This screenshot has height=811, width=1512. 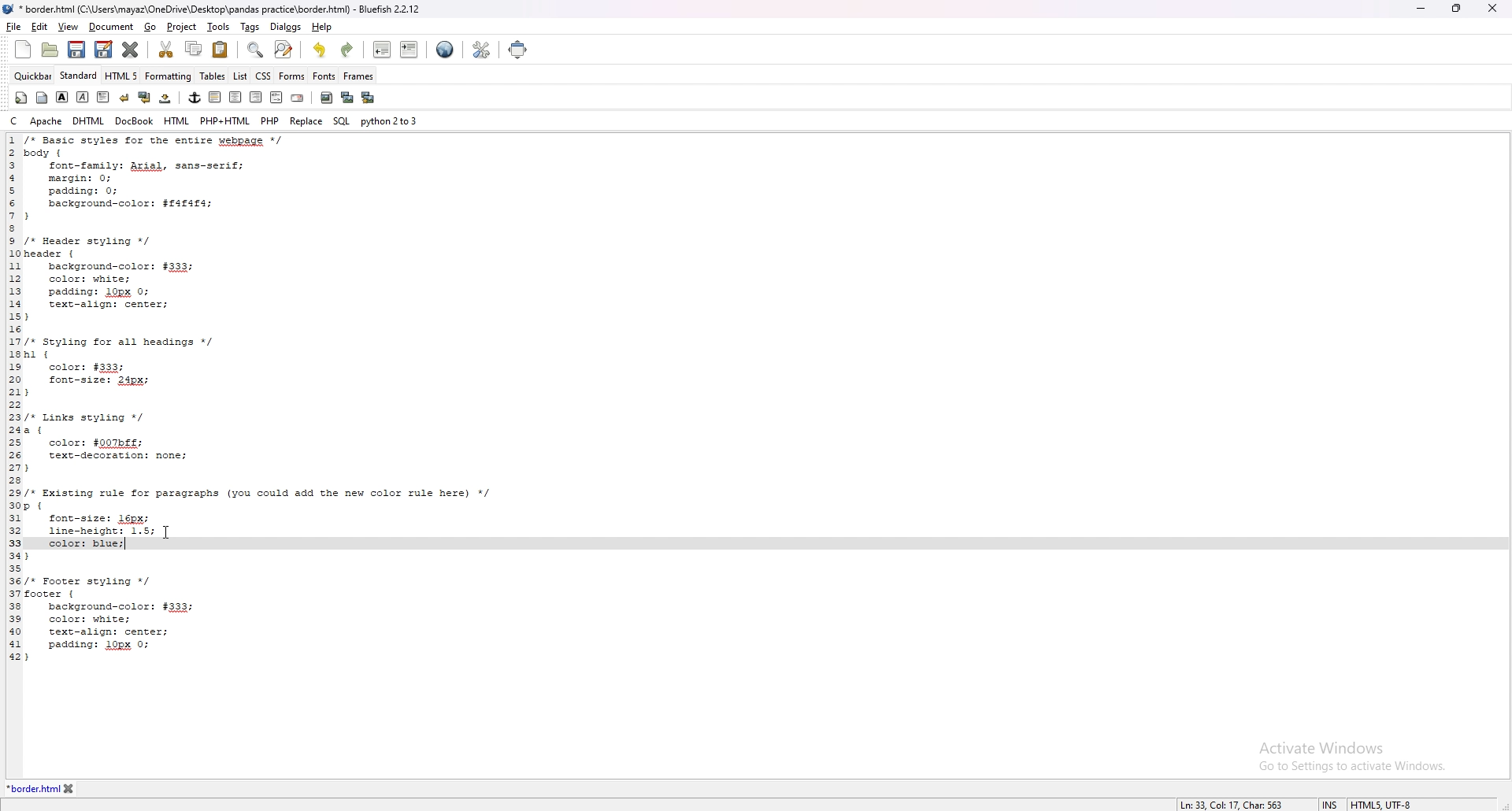 What do you see at coordinates (1232, 799) in the screenshot?
I see `description` at bounding box center [1232, 799].